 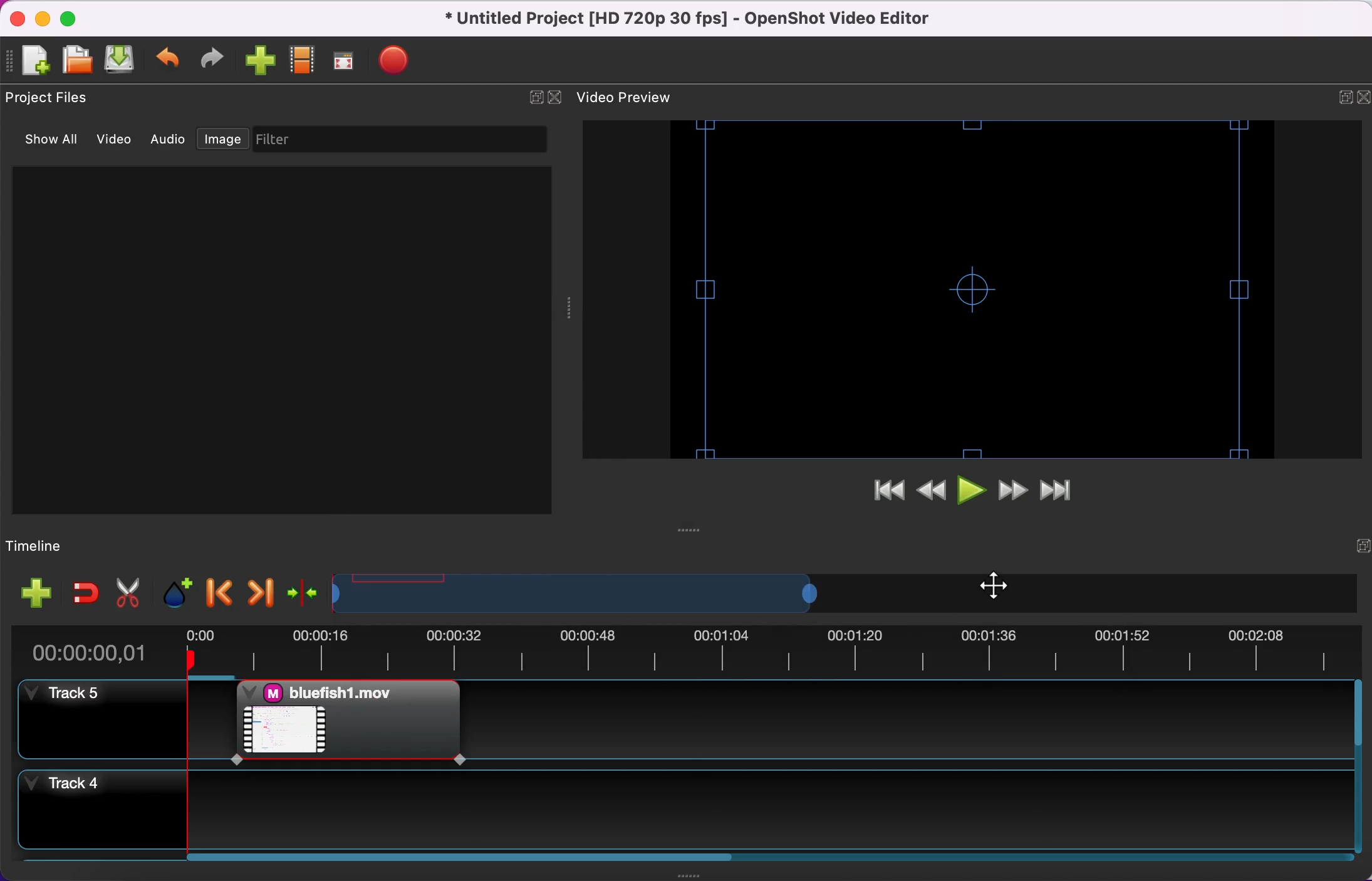 What do you see at coordinates (18, 18) in the screenshot?
I see `close` at bounding box center [18, 18].